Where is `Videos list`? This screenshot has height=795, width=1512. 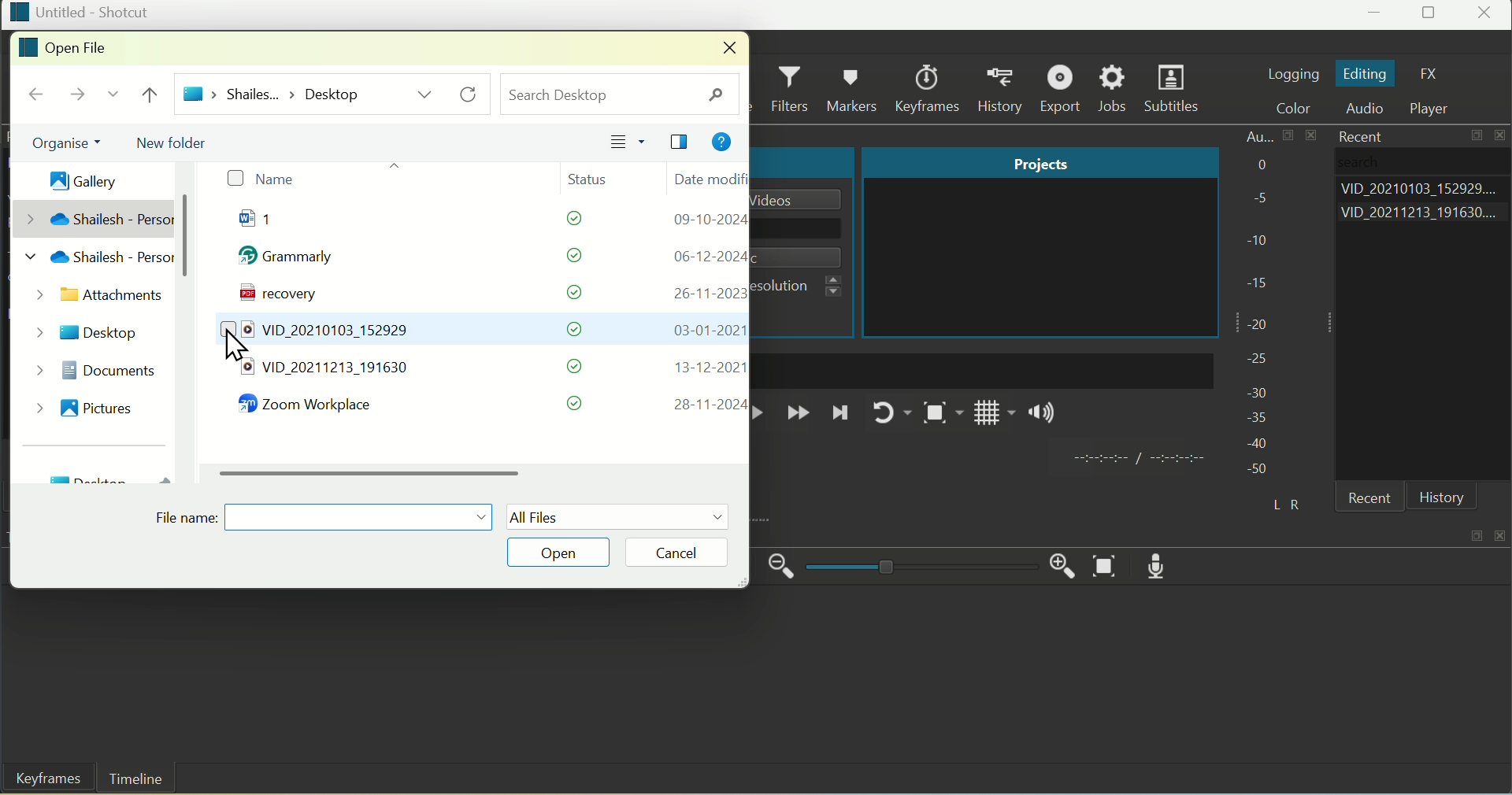 Videos list is located at coordinates (1424, 215).